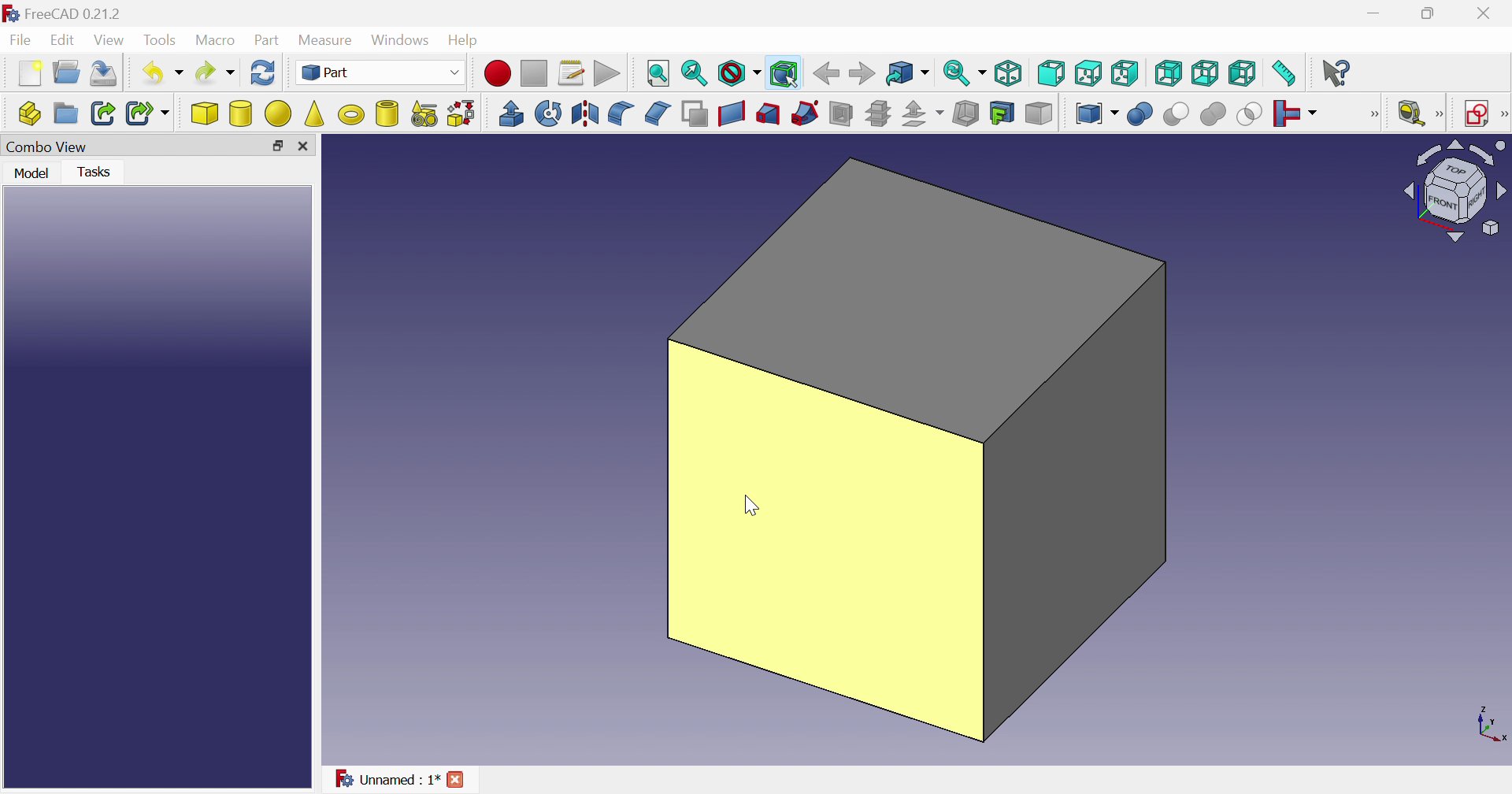 The image size is (1512, 794). What do you see at coordinates (731, 113) in the screenshot?
I see `Create rules surface` at bounding box center [731, 113].